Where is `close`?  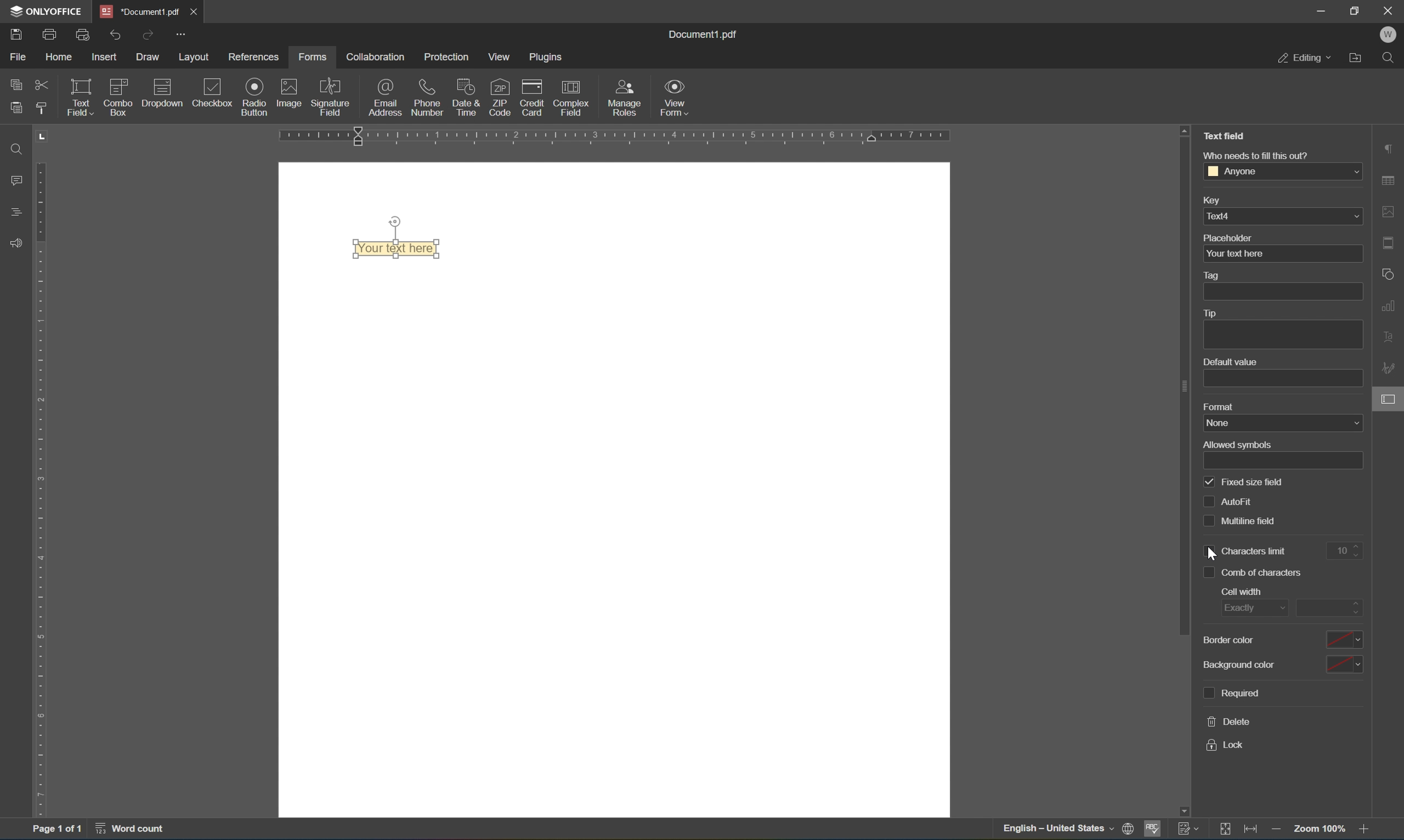 close is located at coordinates (1389, 9).